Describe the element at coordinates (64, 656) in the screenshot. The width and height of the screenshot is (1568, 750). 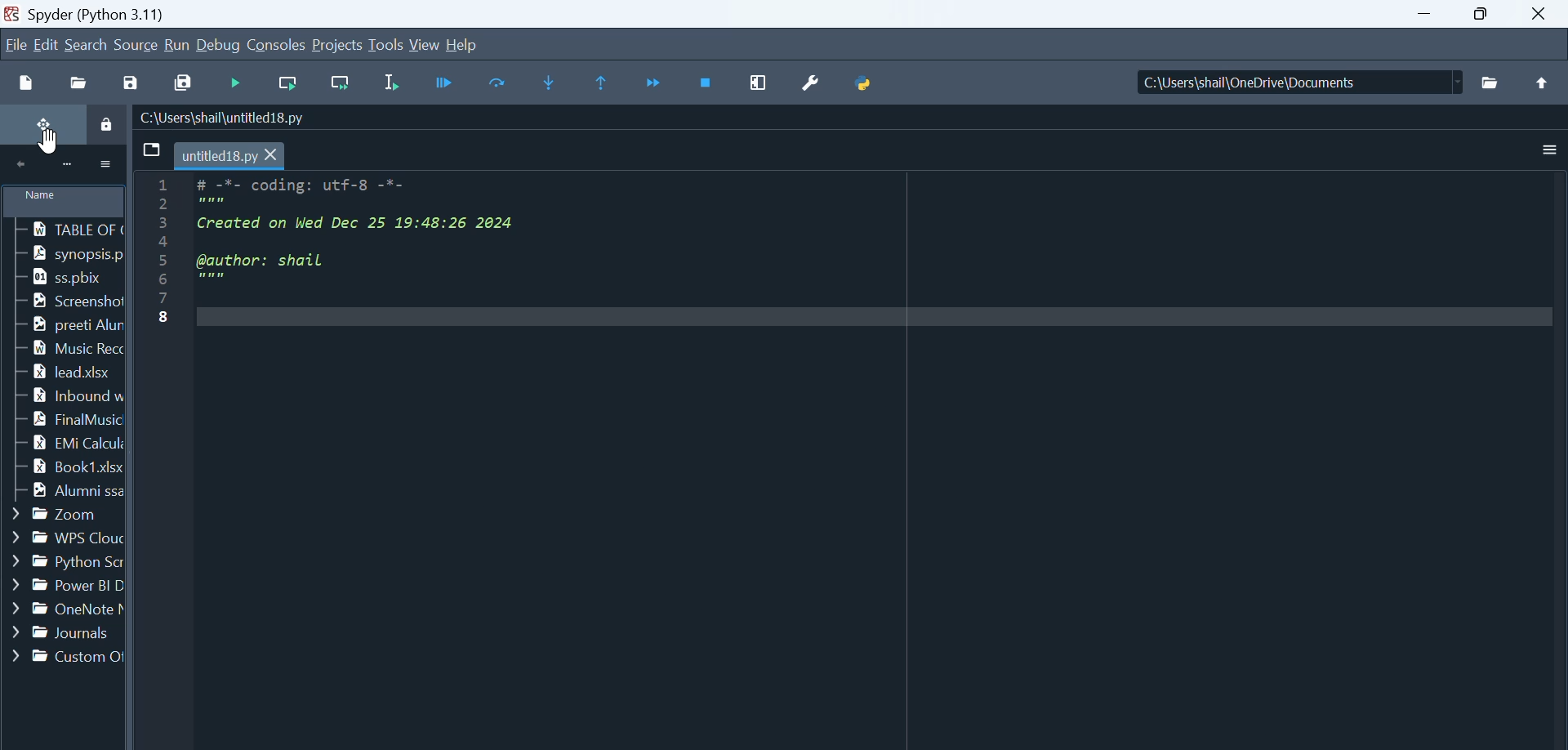
I see `Custom Of` at that location.